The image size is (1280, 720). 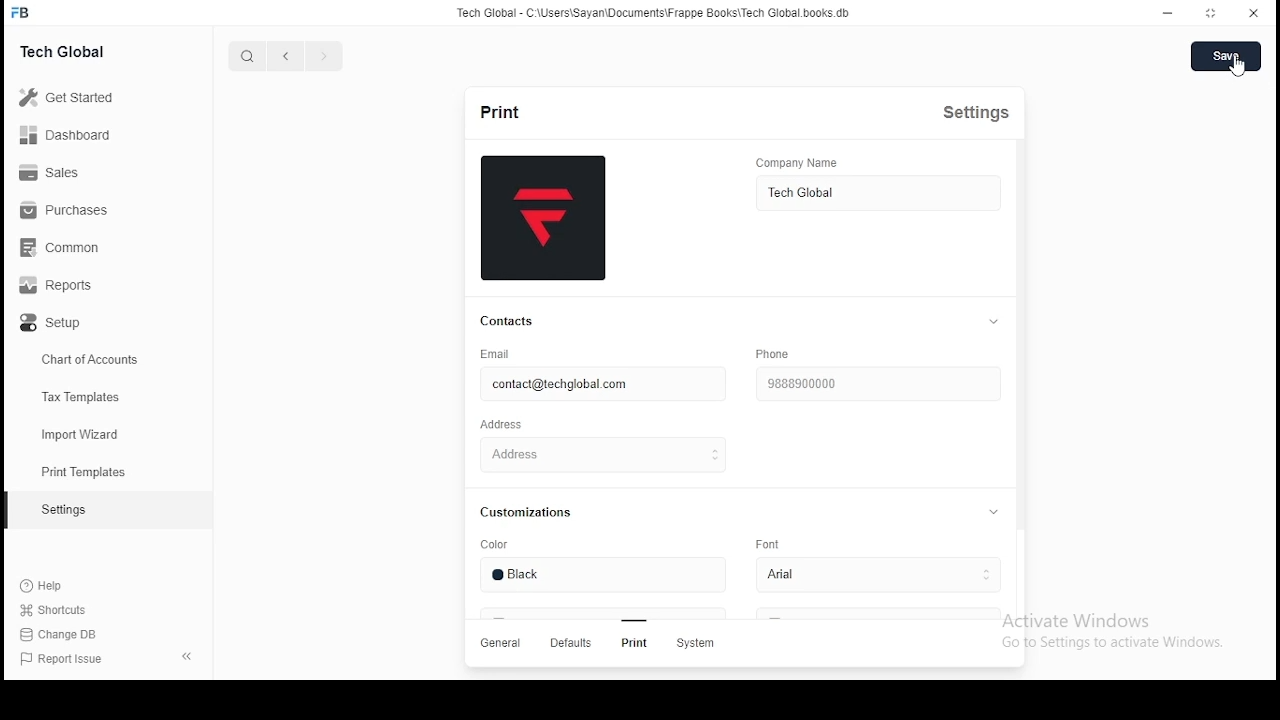 What do you see at coordinates (632, 643) in the screenshot?
I see `Print ` at bounding box center [632, 643].